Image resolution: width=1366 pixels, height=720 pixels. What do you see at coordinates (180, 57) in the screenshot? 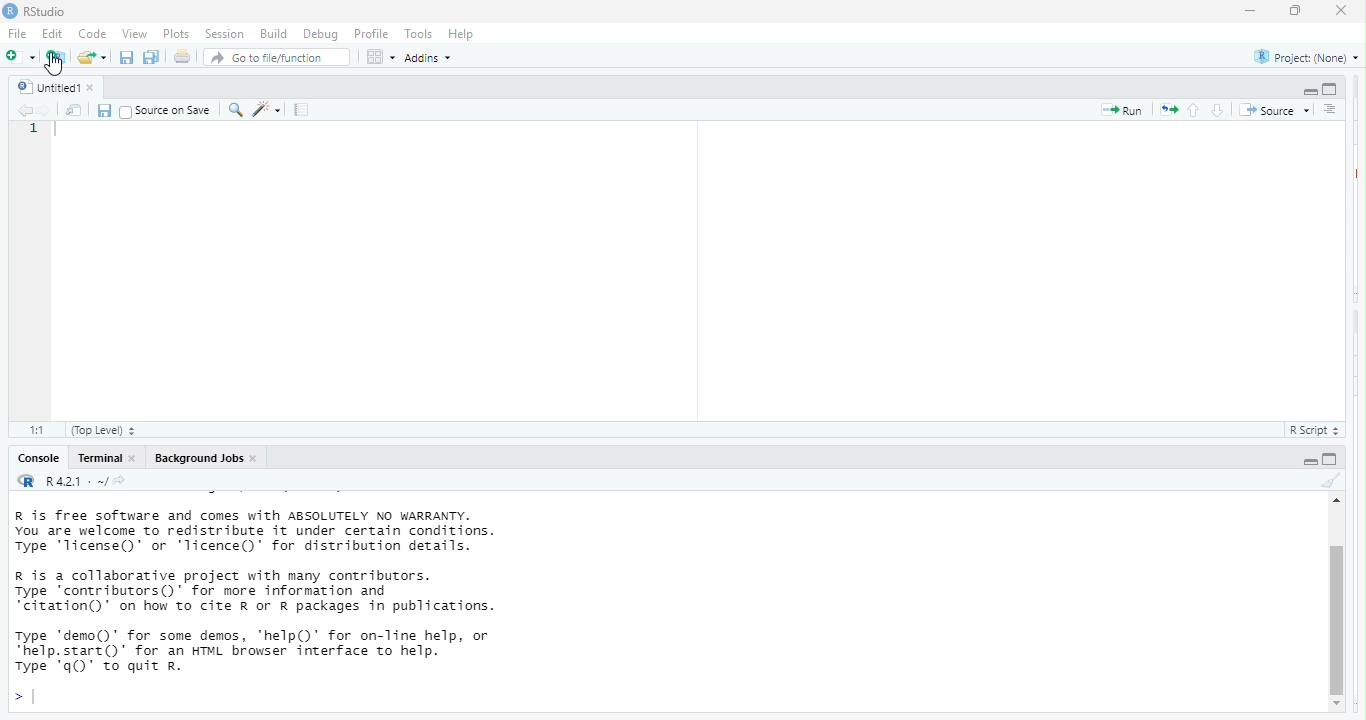
I see `print the current file` at bounding box center [180, 57].